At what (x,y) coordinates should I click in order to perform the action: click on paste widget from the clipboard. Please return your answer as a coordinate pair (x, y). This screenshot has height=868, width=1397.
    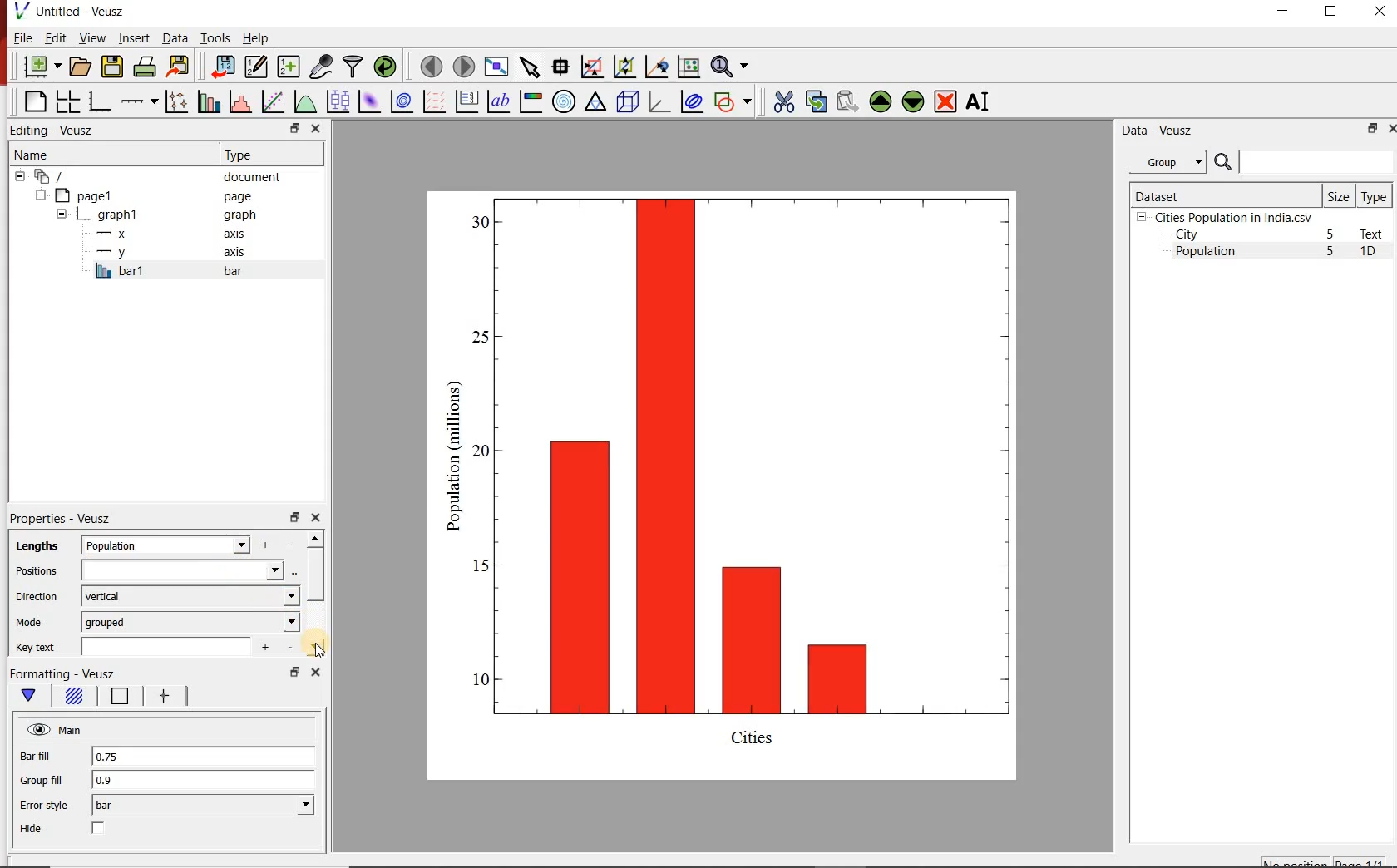
    Looking at the image, I should click on (847, 101).